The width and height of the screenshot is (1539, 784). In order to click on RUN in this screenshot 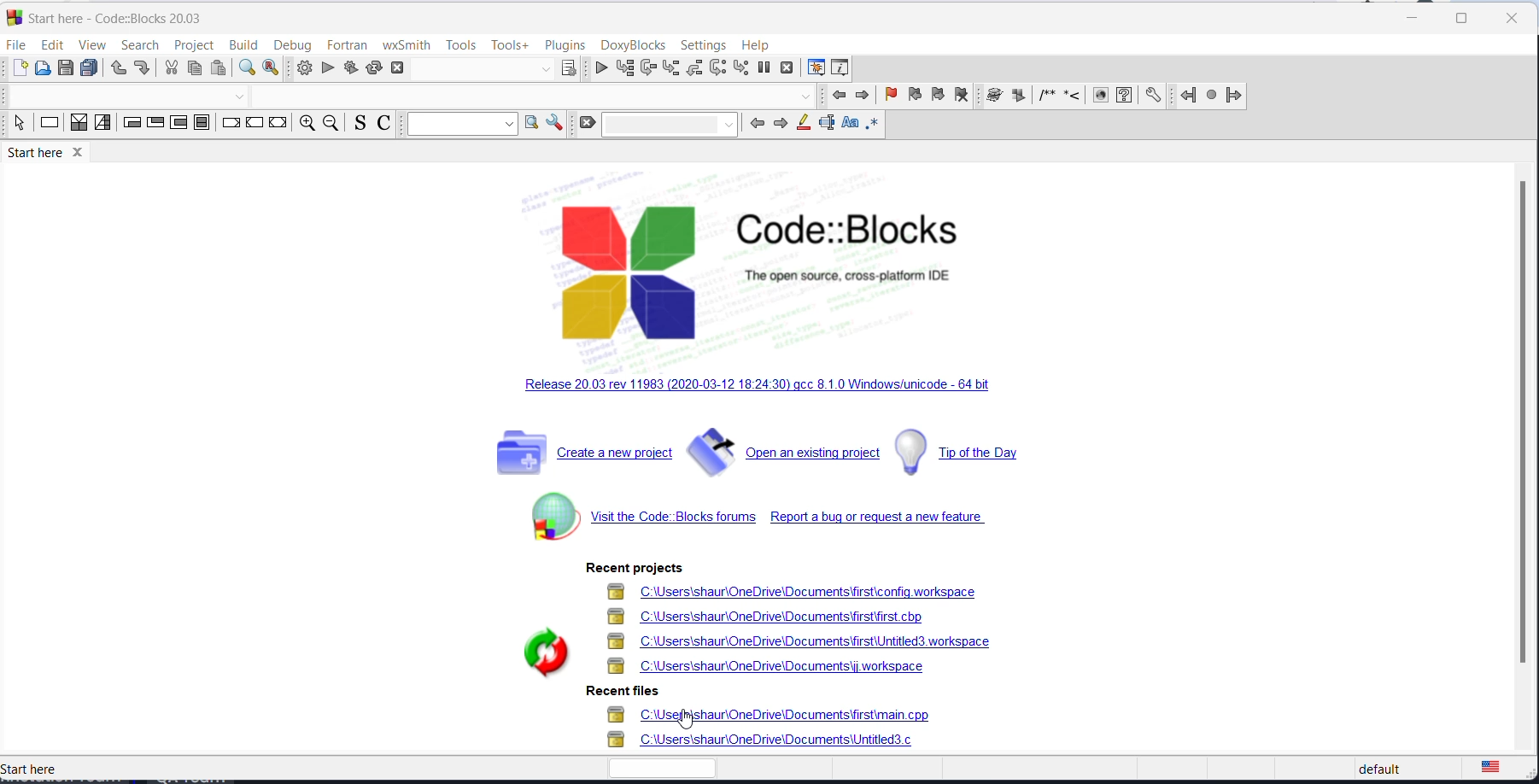, I will do `click(328, 69)`.